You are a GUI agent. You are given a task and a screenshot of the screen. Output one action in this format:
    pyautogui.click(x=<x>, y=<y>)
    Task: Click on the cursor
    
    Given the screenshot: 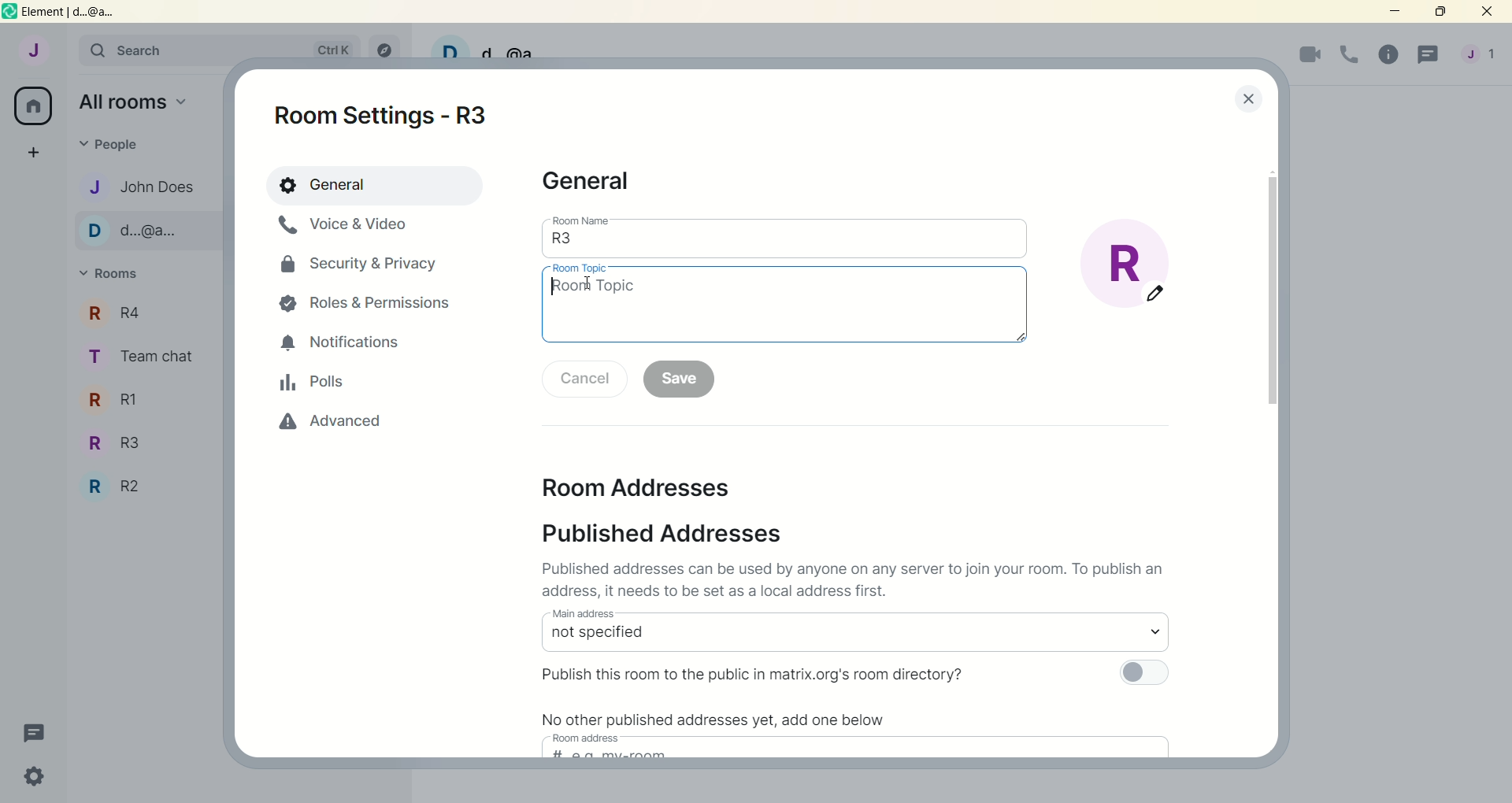 What is the action you would take?
    pyautogui.click(x=584, y=283)
    